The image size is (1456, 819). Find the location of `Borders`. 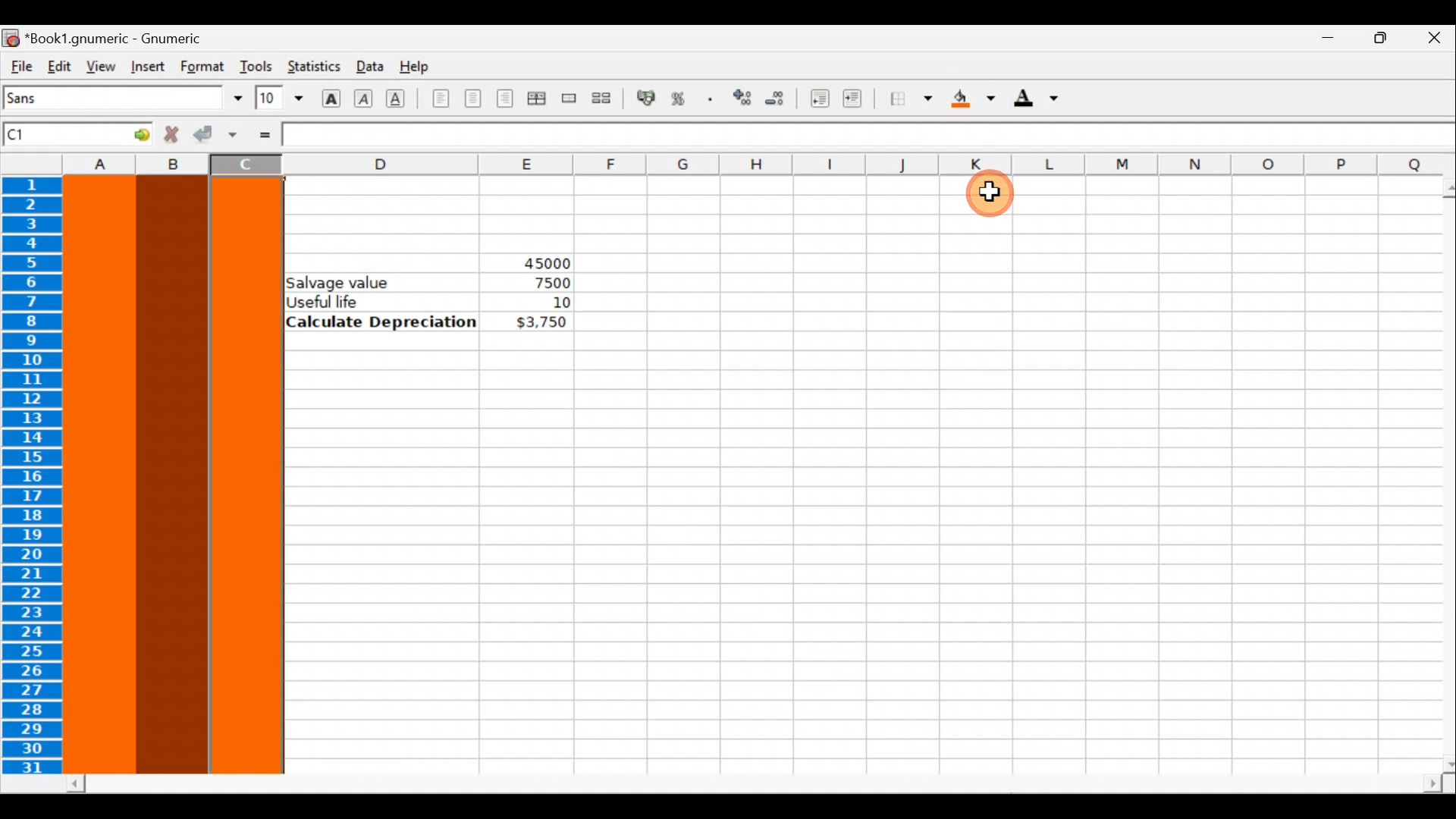

Borders is located at coordinates (911, 99).